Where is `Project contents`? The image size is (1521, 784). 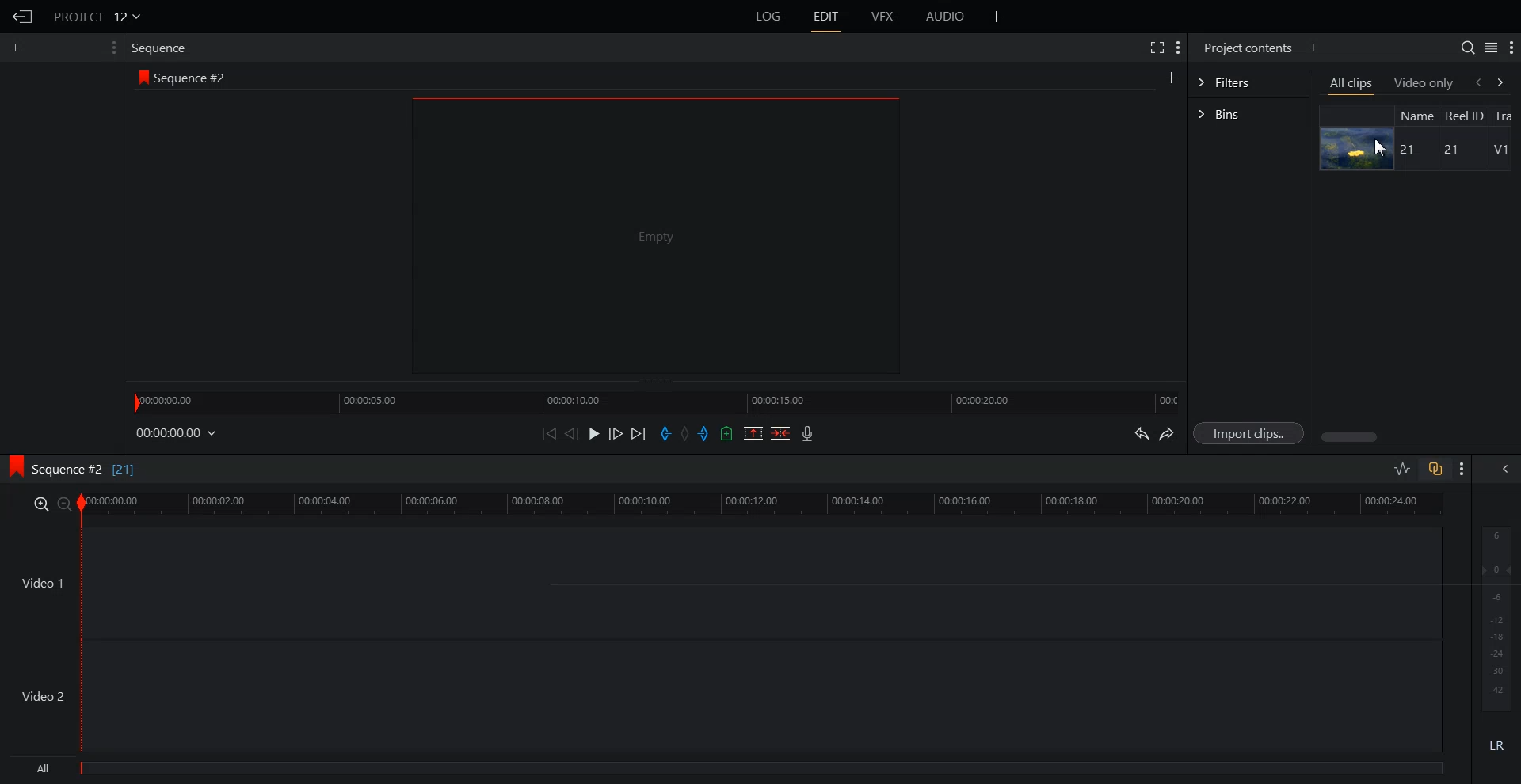 Project contents is located at coordinates (1248, 48).